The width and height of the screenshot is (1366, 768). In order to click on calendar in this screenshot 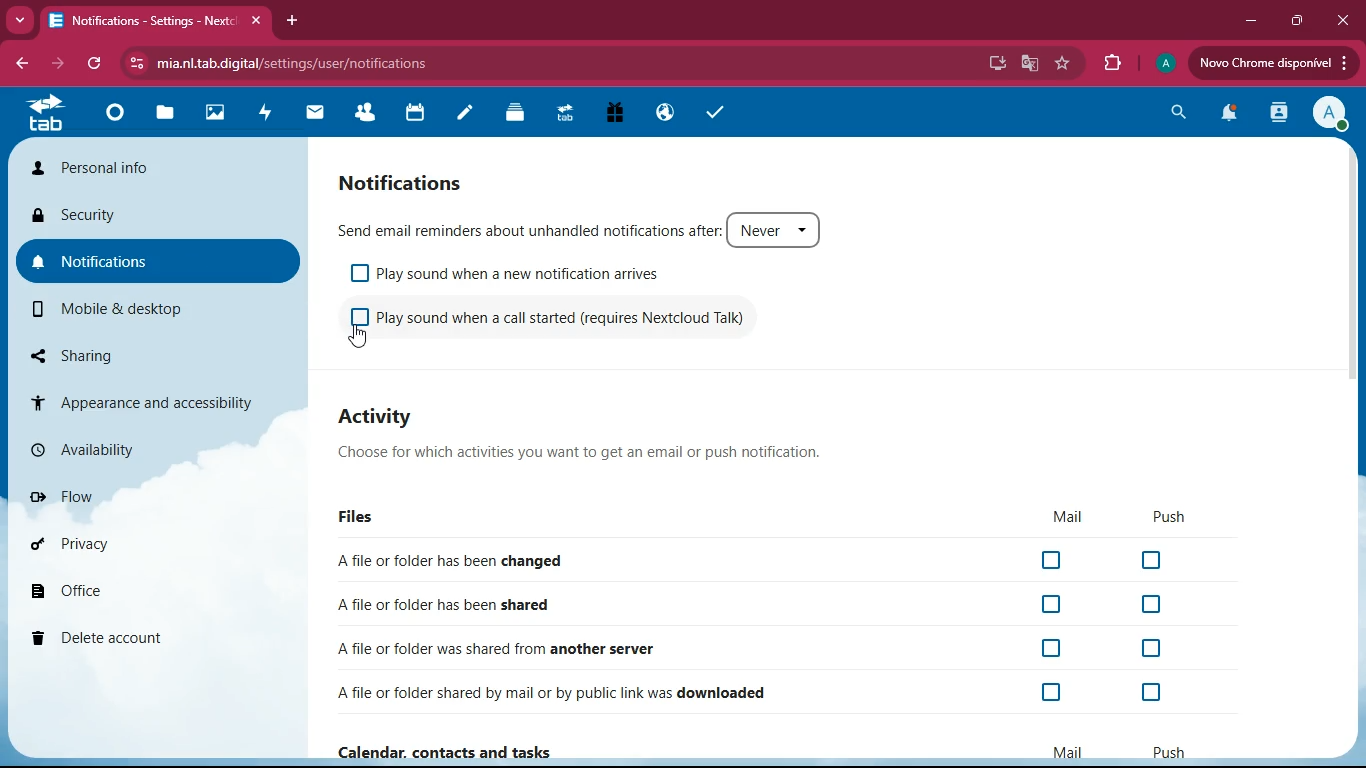, I will do `click(417, 115)`.